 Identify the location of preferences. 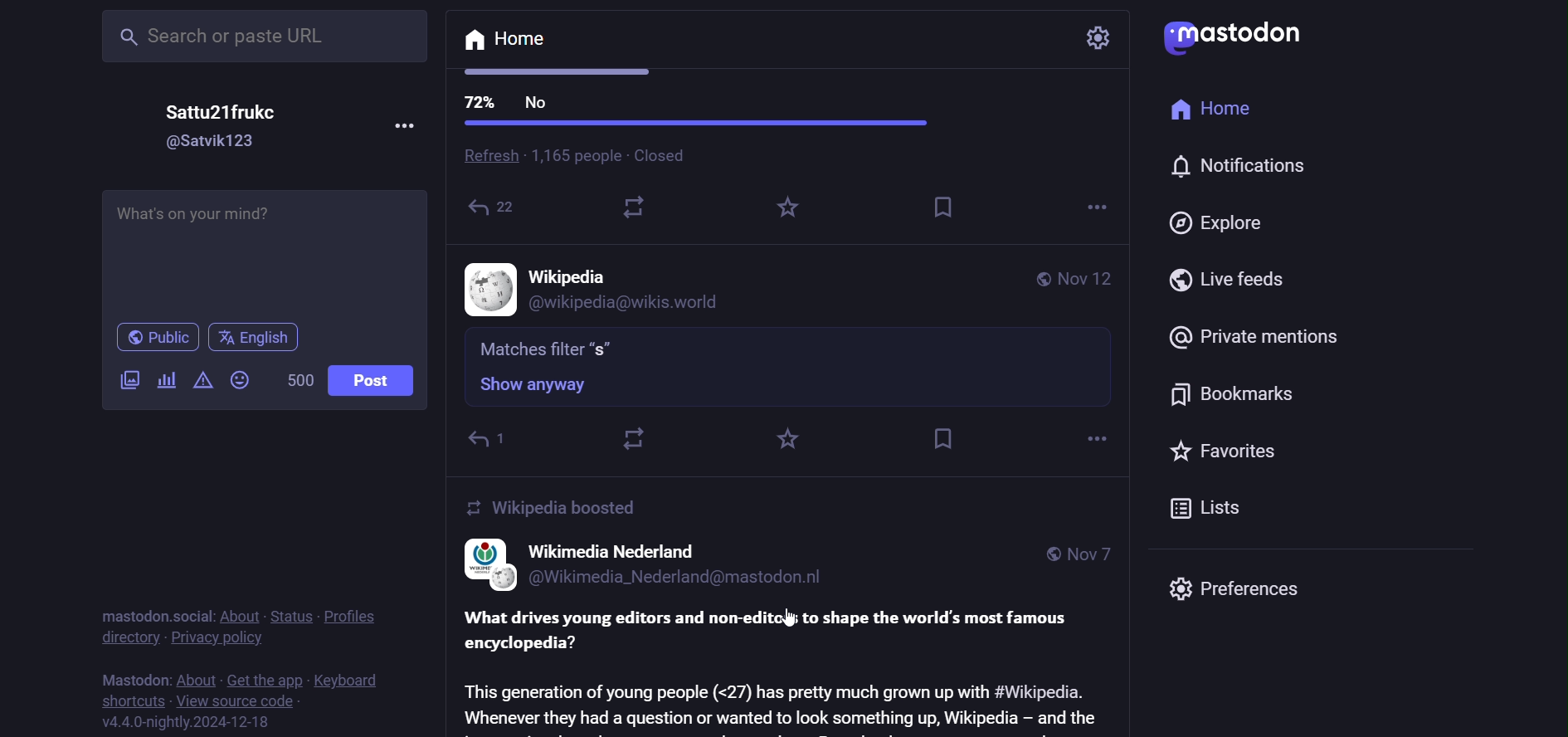
(1237, 586).